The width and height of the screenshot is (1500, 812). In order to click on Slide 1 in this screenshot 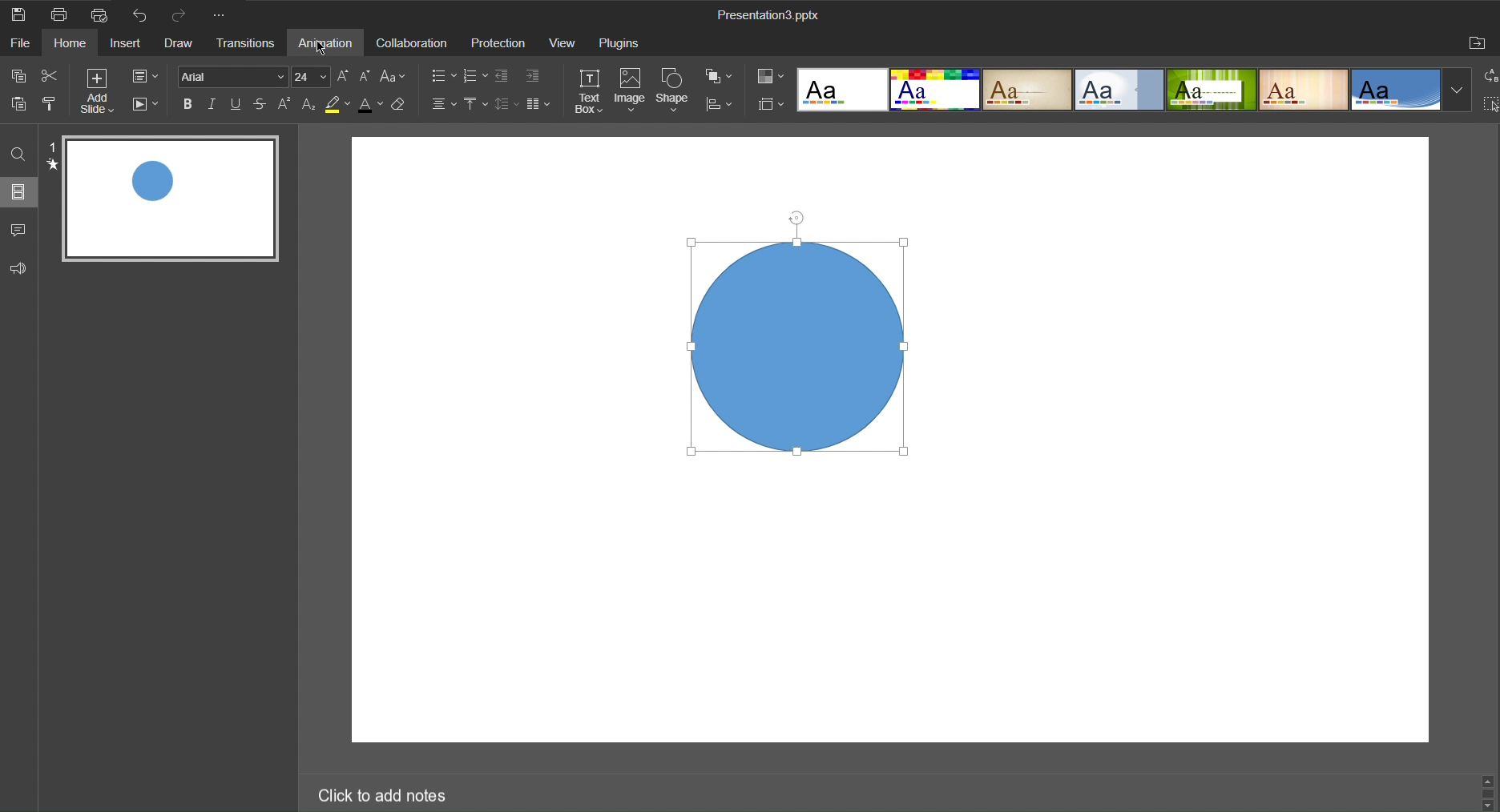, I will do `click(172, 201)`.